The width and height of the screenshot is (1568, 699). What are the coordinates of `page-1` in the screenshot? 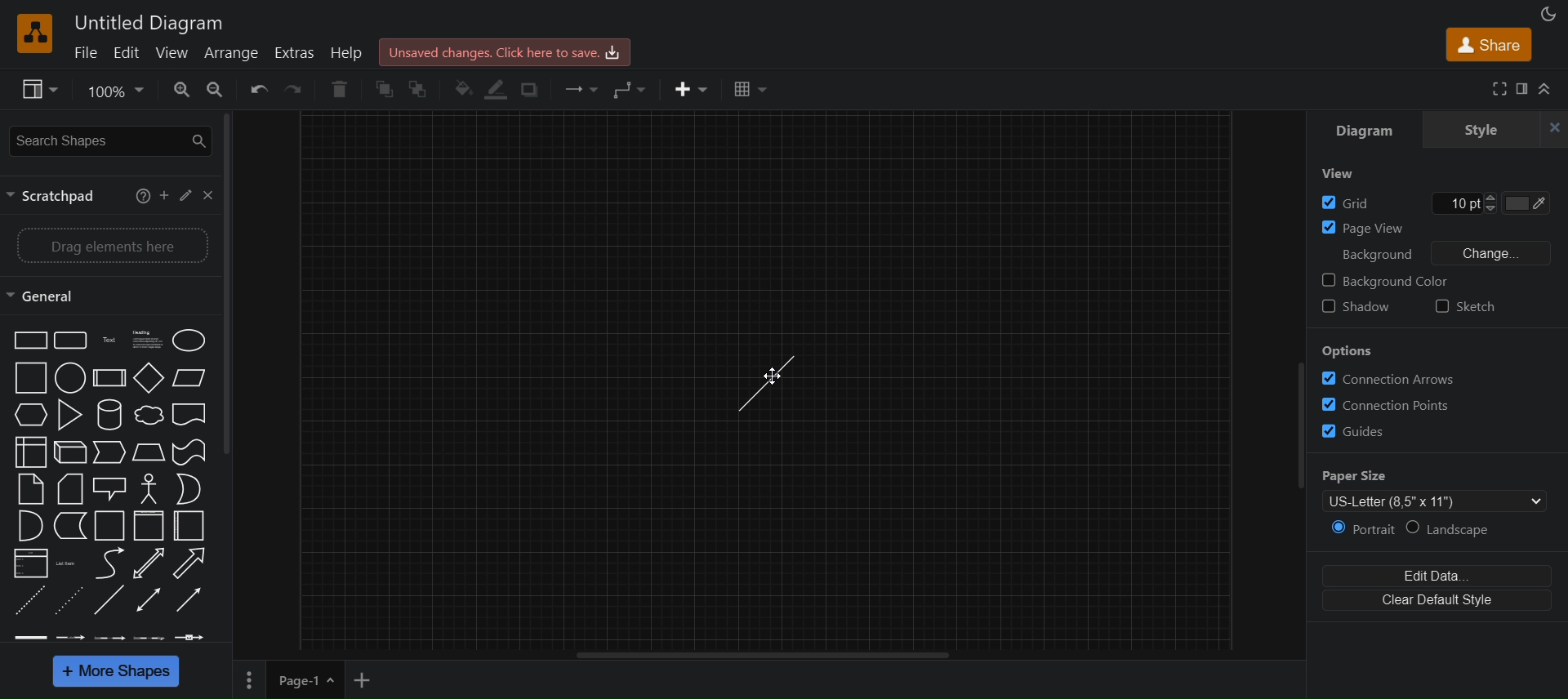 It's located at (307, 679).